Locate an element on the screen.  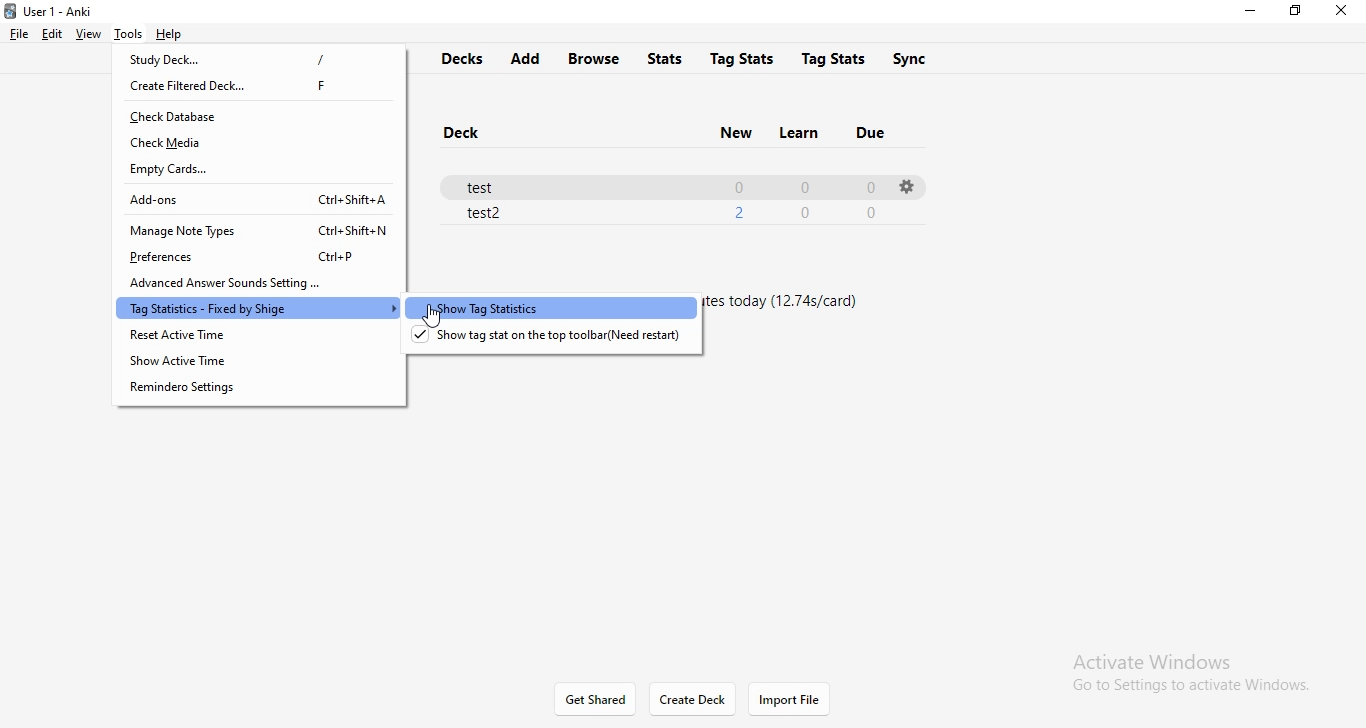
get started is located at coordinates (595, 700).